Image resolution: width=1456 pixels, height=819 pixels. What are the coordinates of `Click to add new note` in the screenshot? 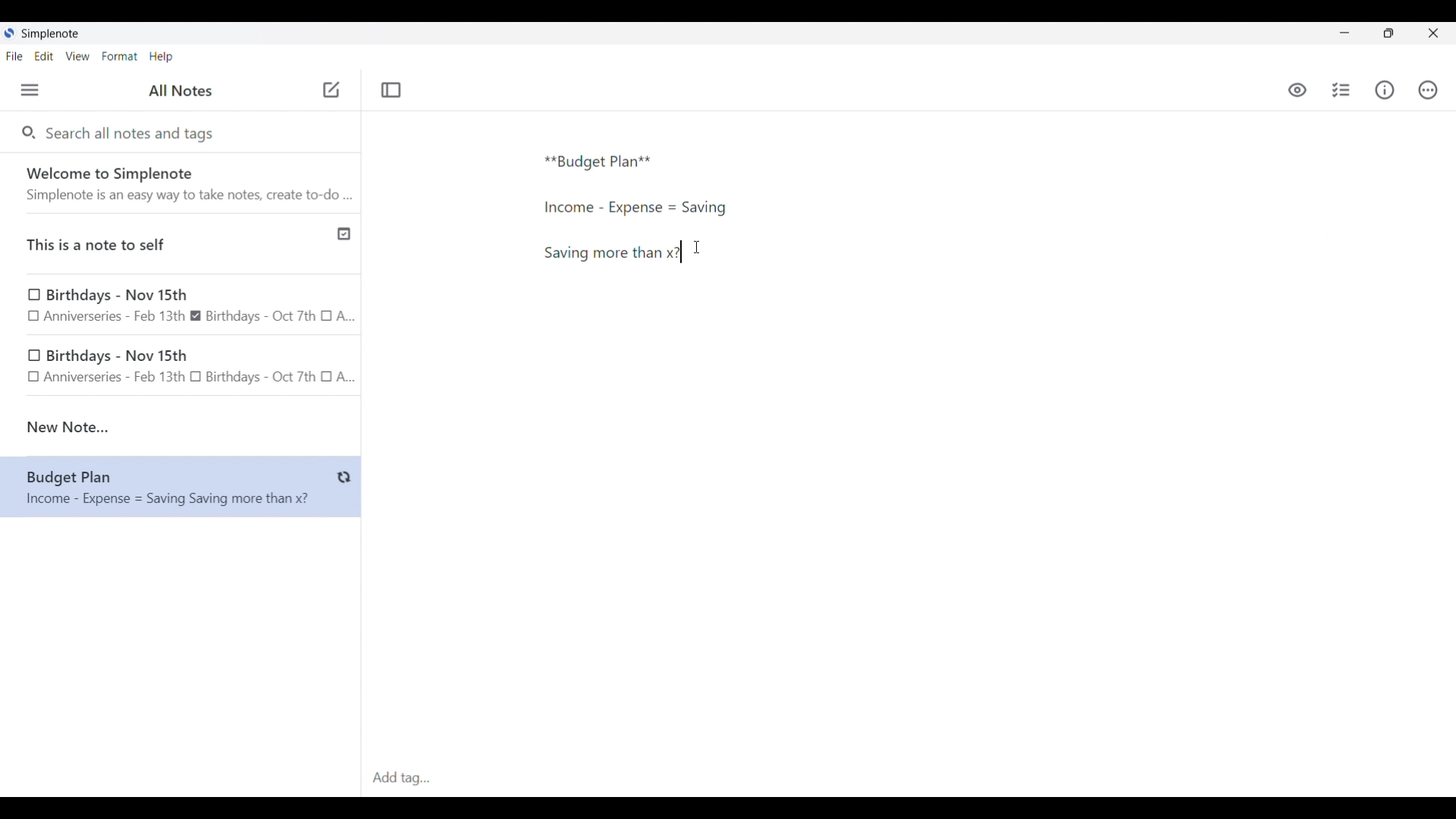 It's located at (331, 89).